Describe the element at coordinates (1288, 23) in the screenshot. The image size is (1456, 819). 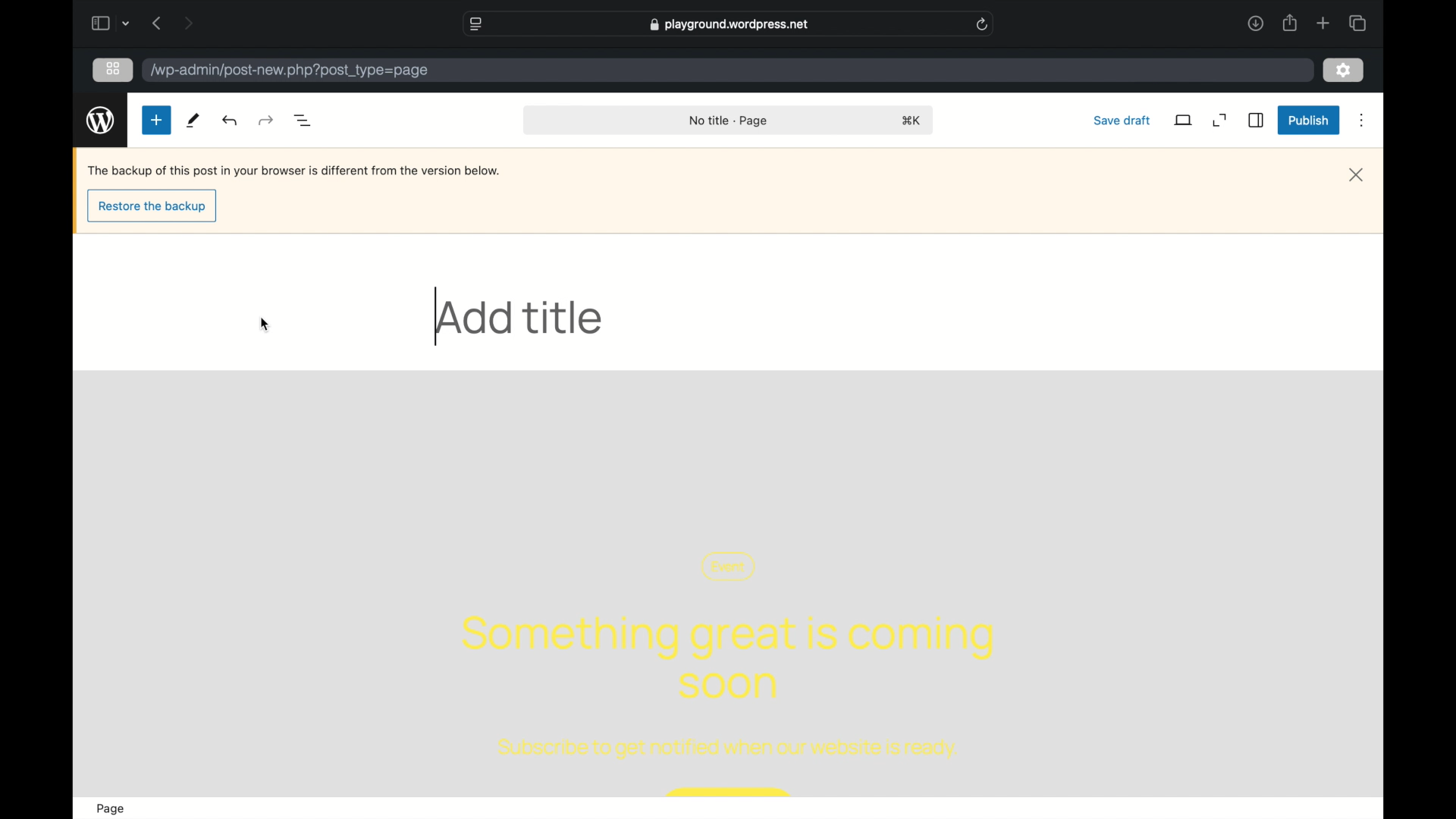
I see `share` at that location.